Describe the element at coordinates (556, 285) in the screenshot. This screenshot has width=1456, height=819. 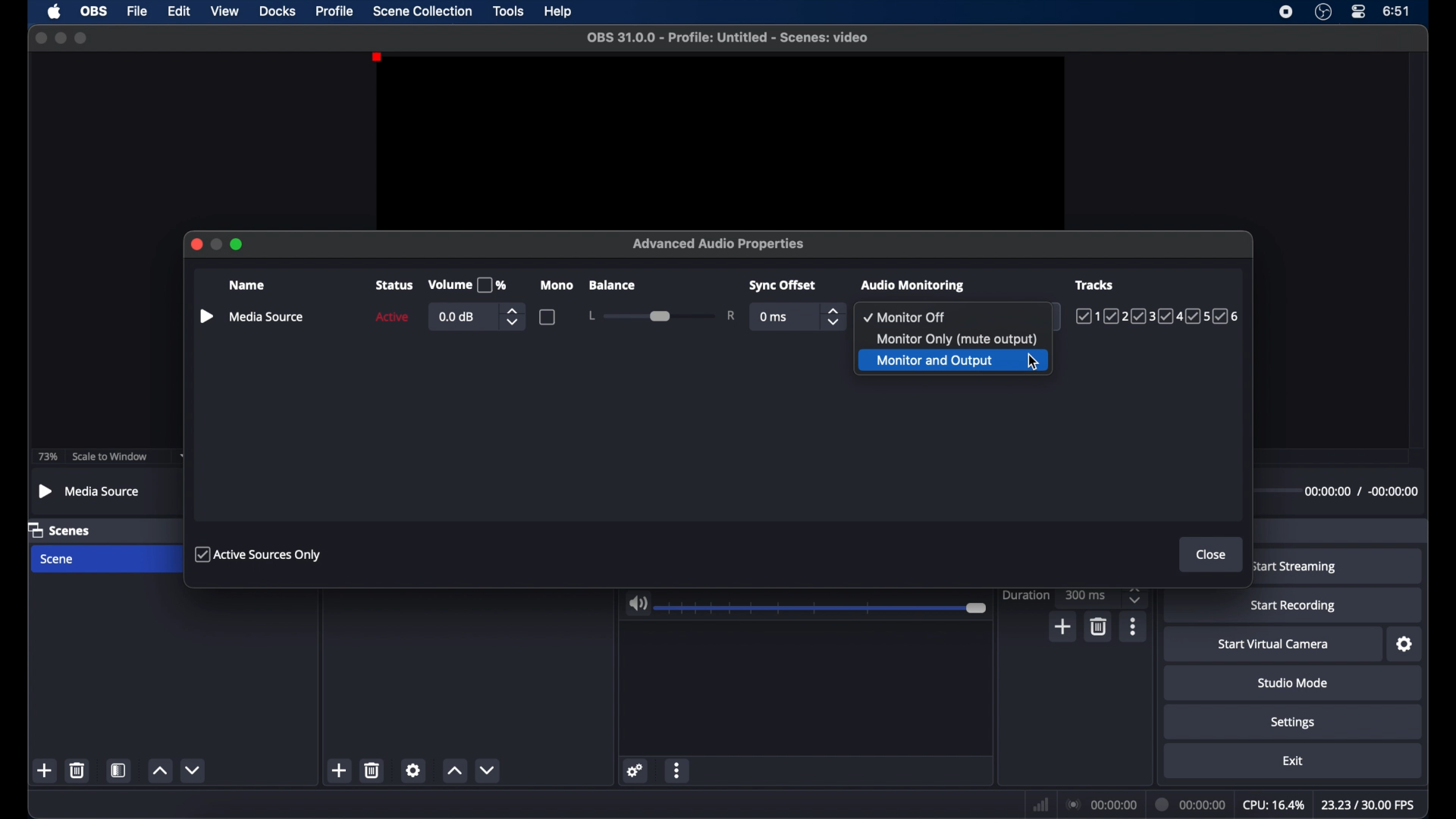
I see `mono` at that location.